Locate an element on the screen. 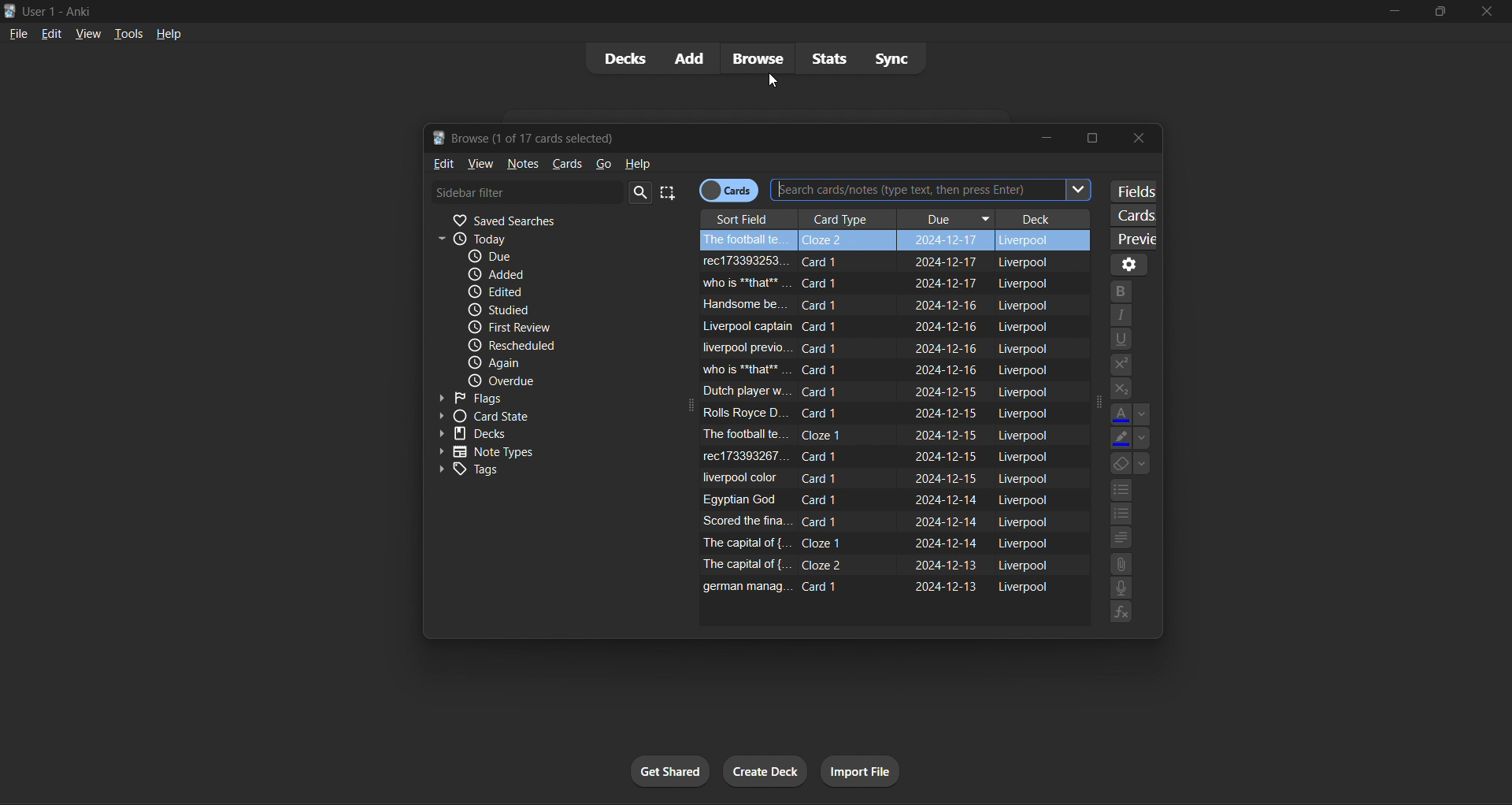  card 1 is located at coordinates (826, 348).